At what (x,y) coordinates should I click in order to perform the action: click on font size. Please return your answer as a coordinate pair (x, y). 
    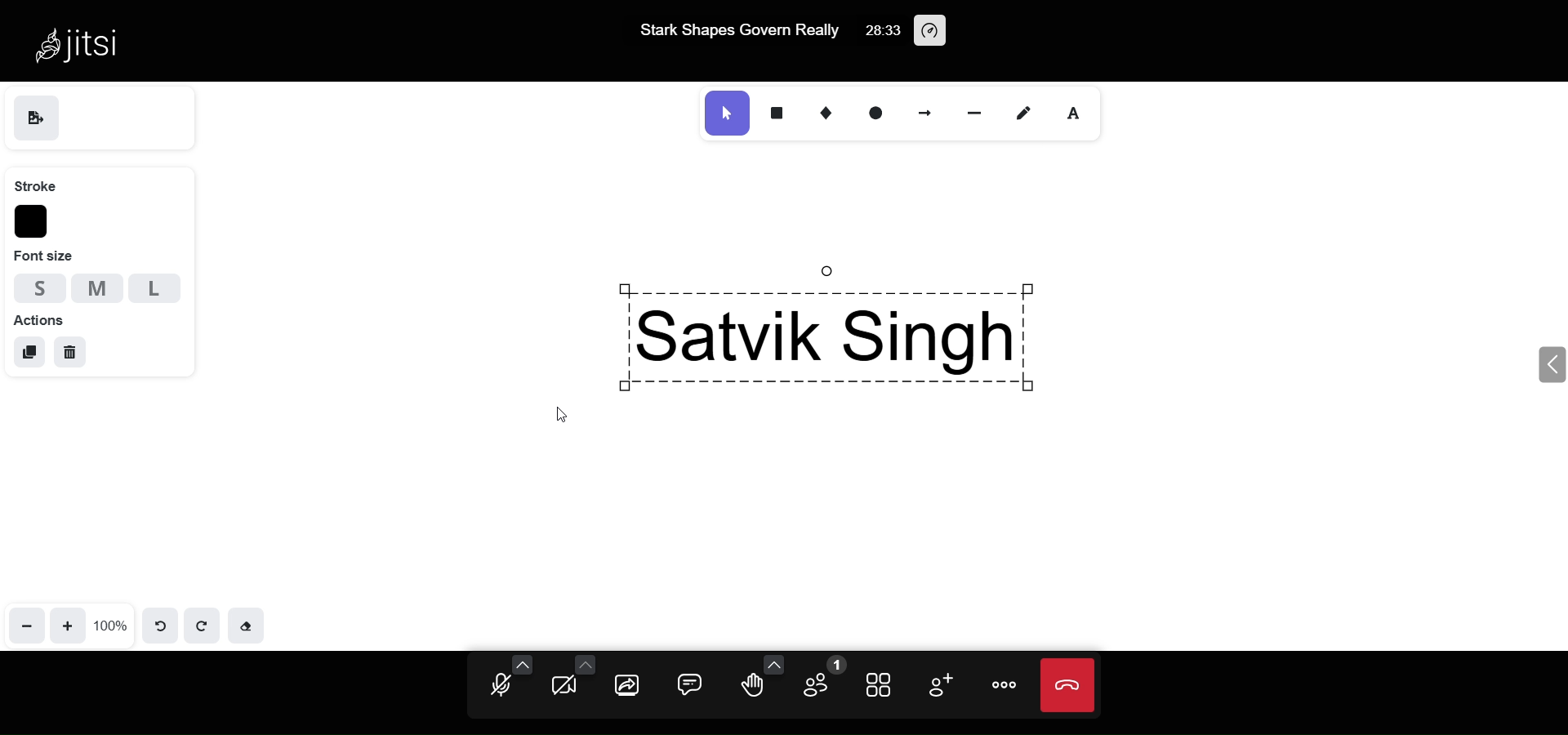
    Looking at the image, I should click on (52, 255).